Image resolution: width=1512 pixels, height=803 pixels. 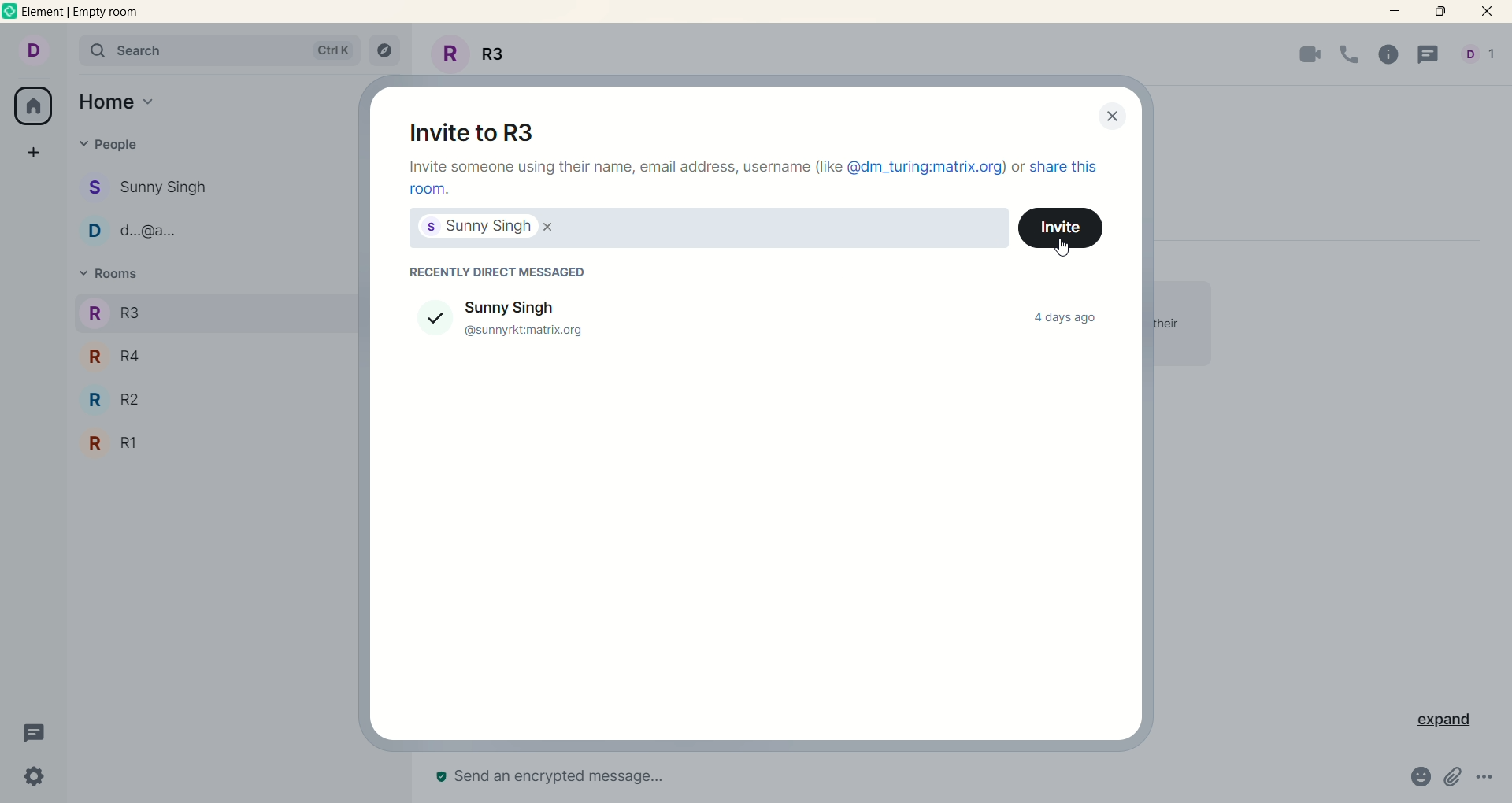 I want to click on minimize, so click(x=1395, y=16).